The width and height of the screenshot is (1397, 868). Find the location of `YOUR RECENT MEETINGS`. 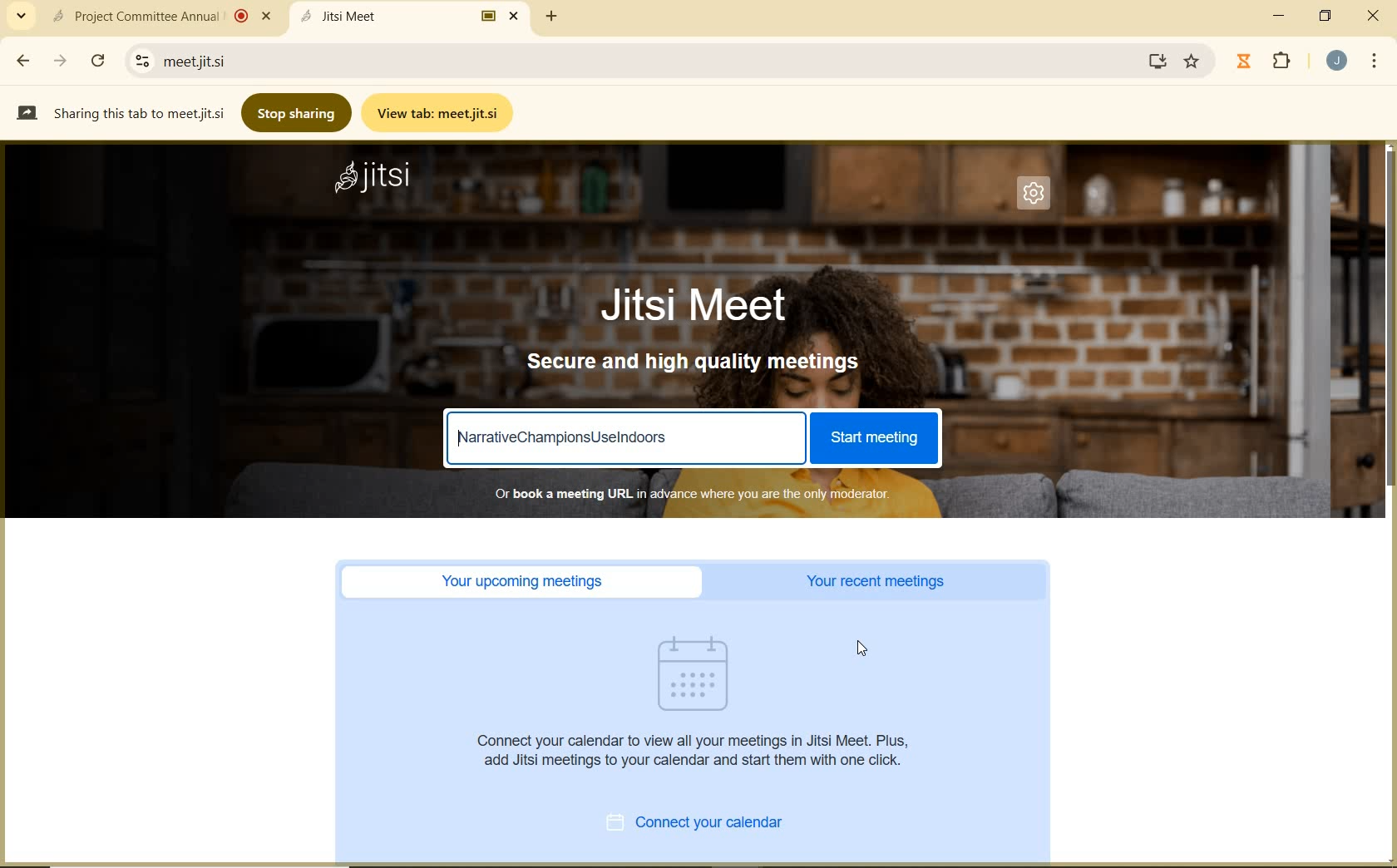

YOUR RECENT MEETINGS is located at coordinates (881, 582).